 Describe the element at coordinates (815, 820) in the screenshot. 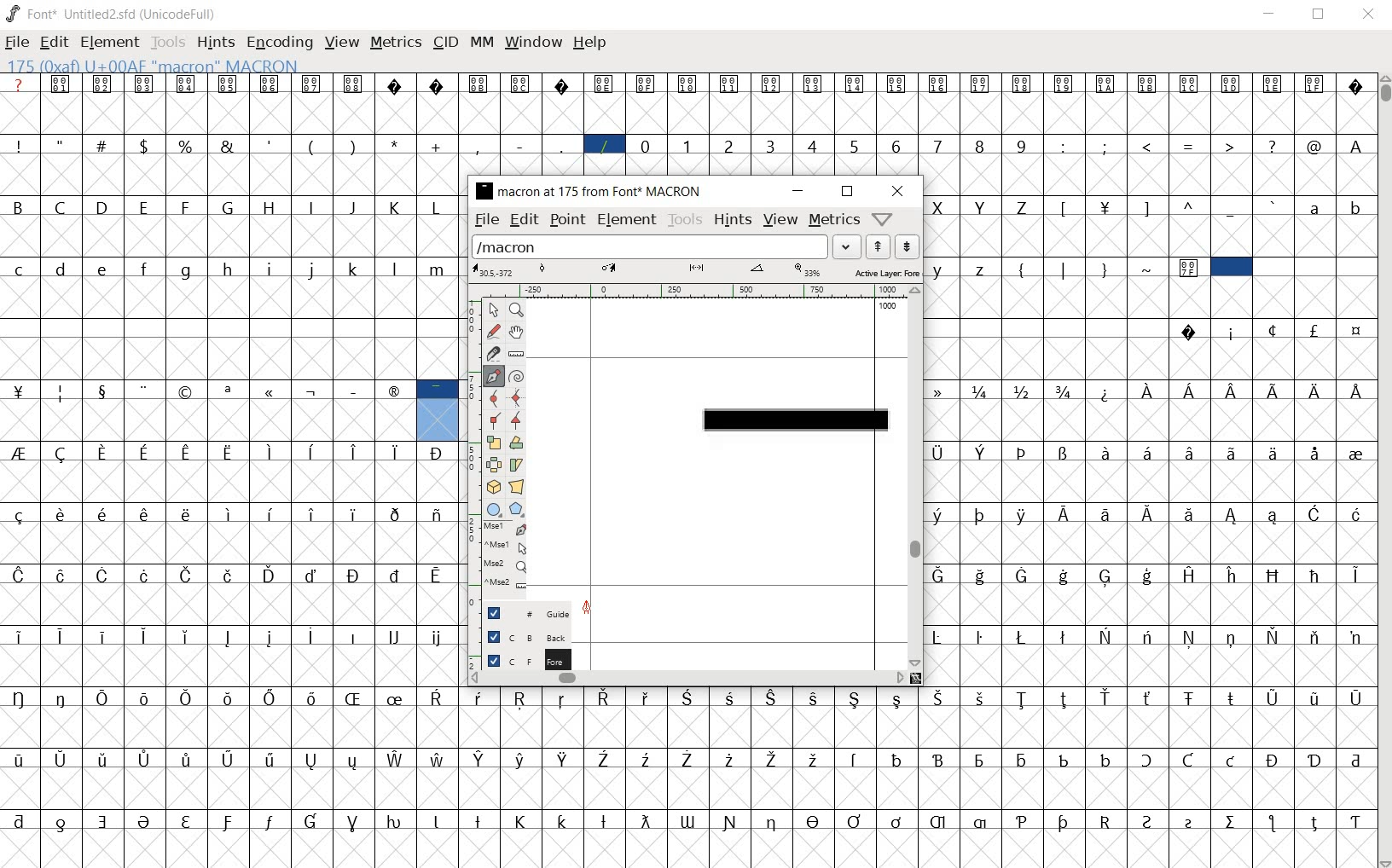

I see `Symbol` at that location.